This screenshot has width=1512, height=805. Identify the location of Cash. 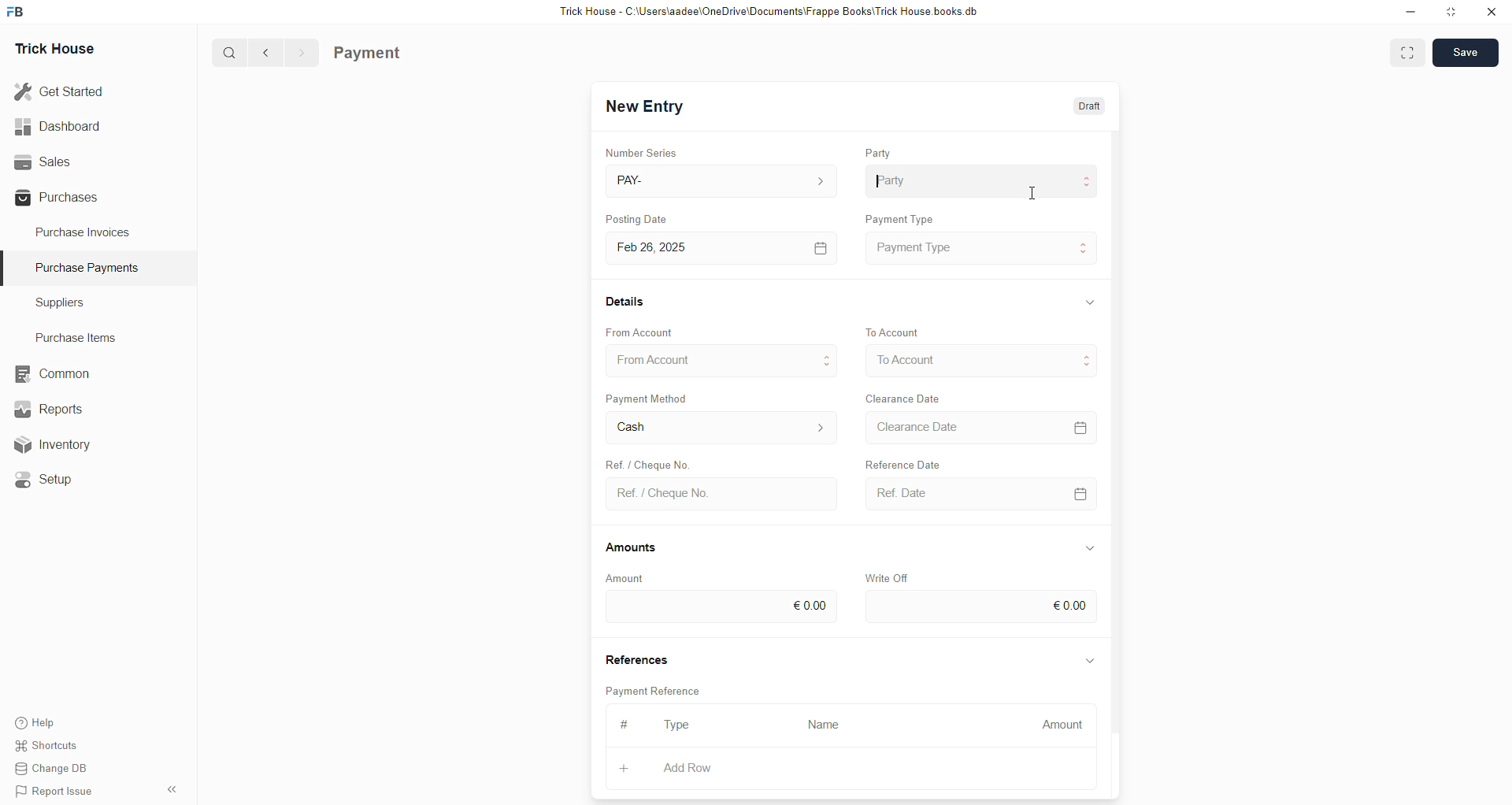
(719, 429).